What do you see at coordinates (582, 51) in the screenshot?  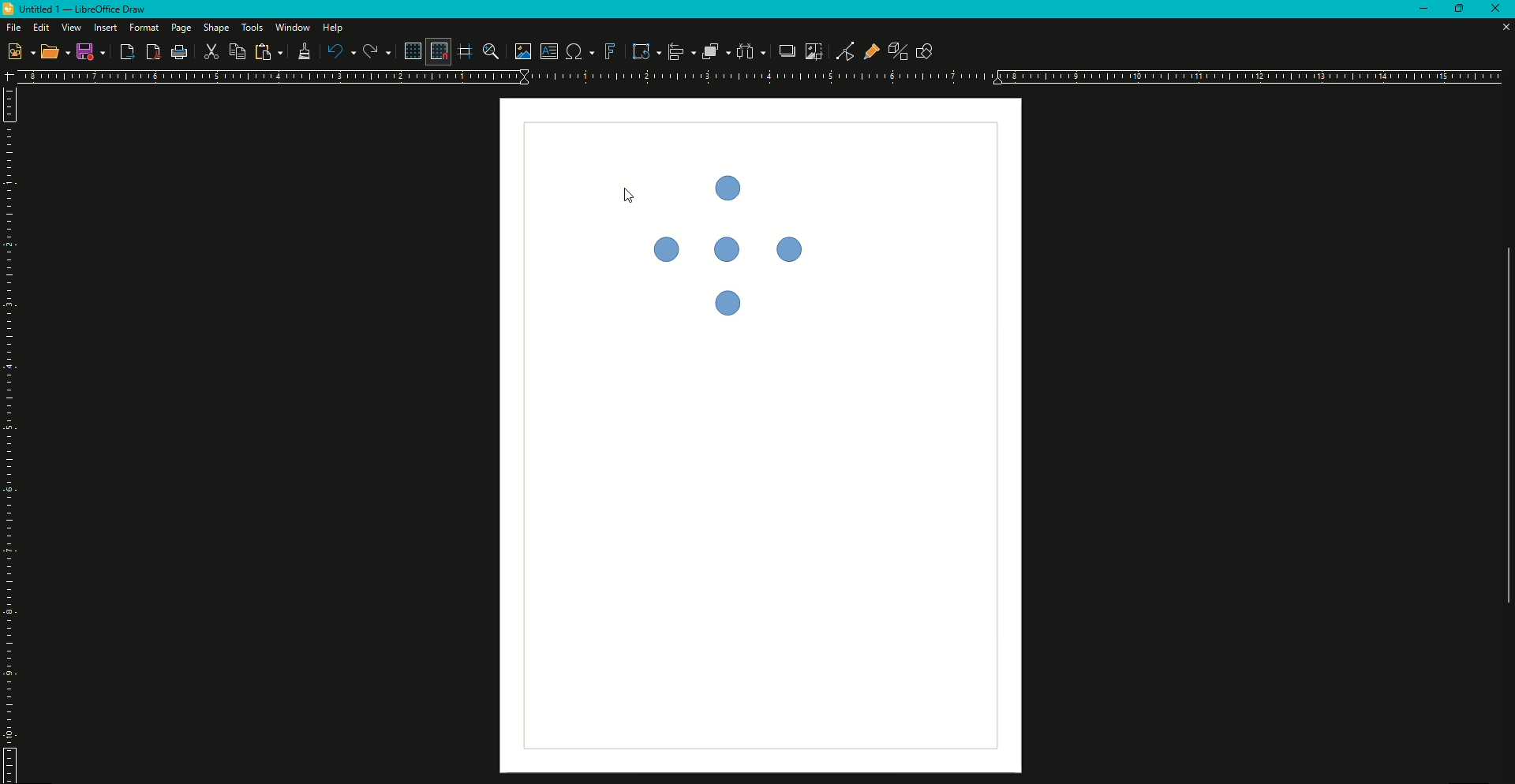 I see `Insert Special Characters` at bounding box center [582, 51].